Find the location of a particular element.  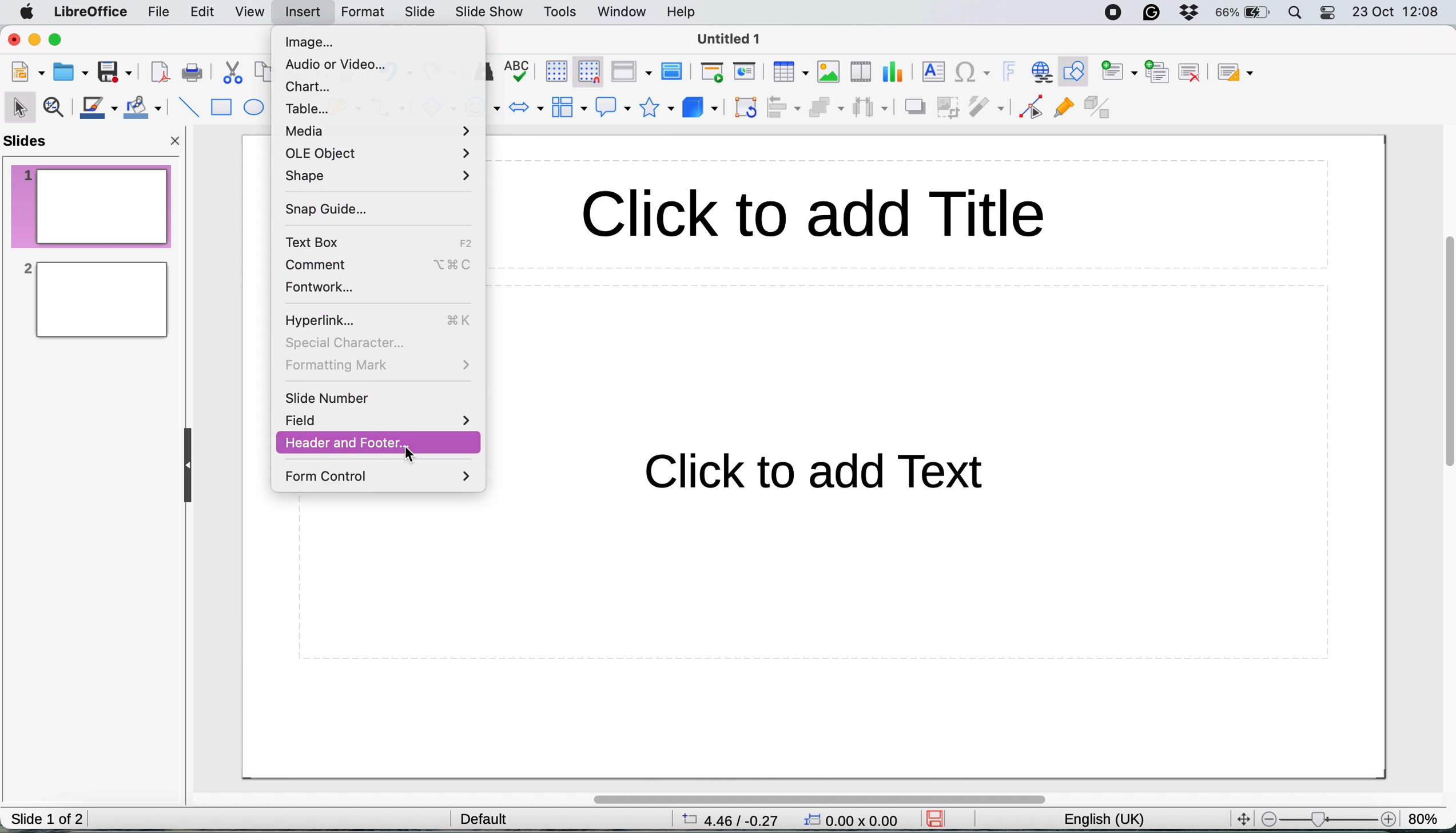

slide 1 of 2 is located at coordinates (47, 820).